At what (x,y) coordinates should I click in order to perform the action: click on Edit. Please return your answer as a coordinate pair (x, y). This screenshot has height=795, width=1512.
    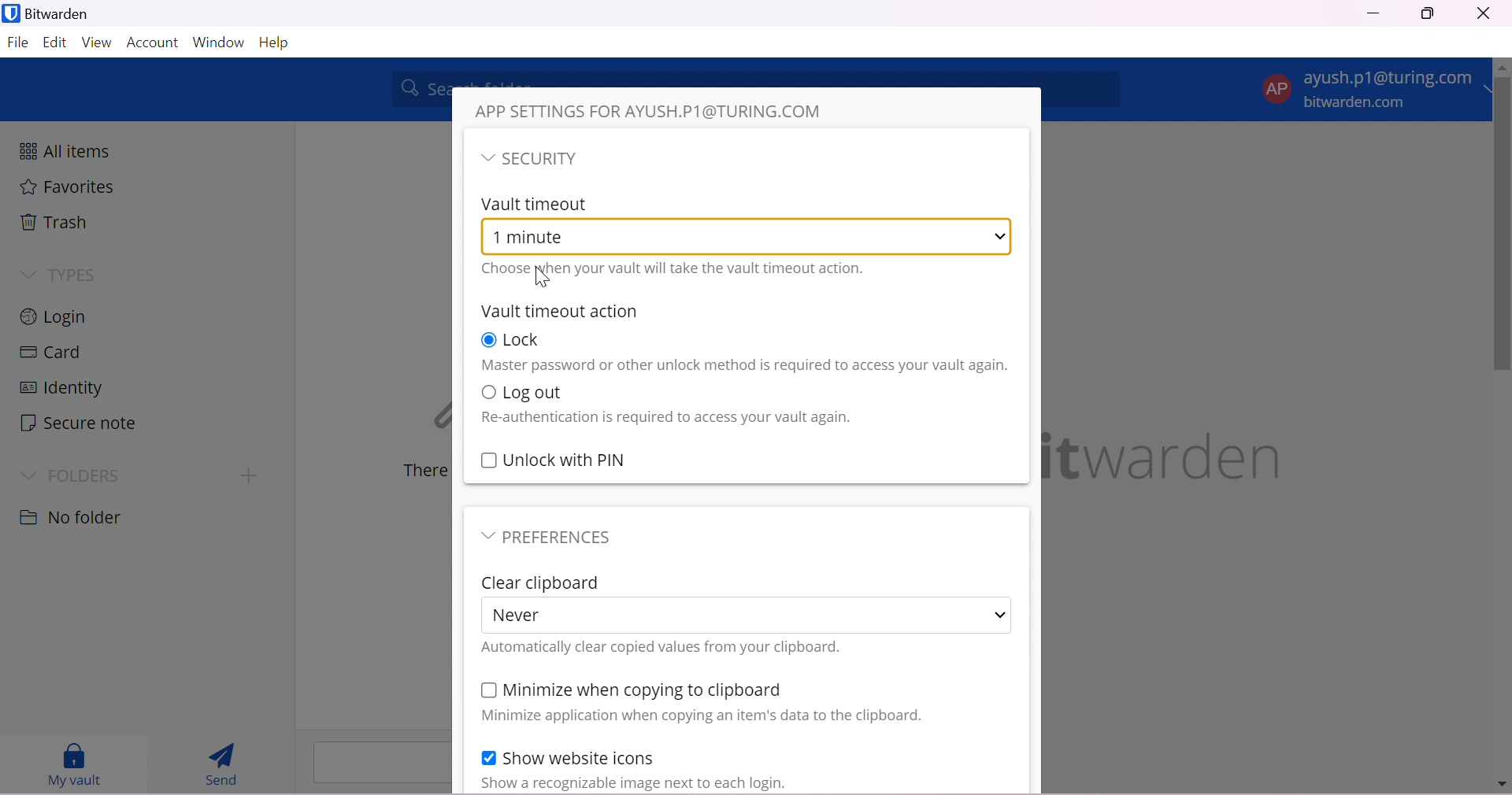
    Looking at the image, I should click on (54, 44).